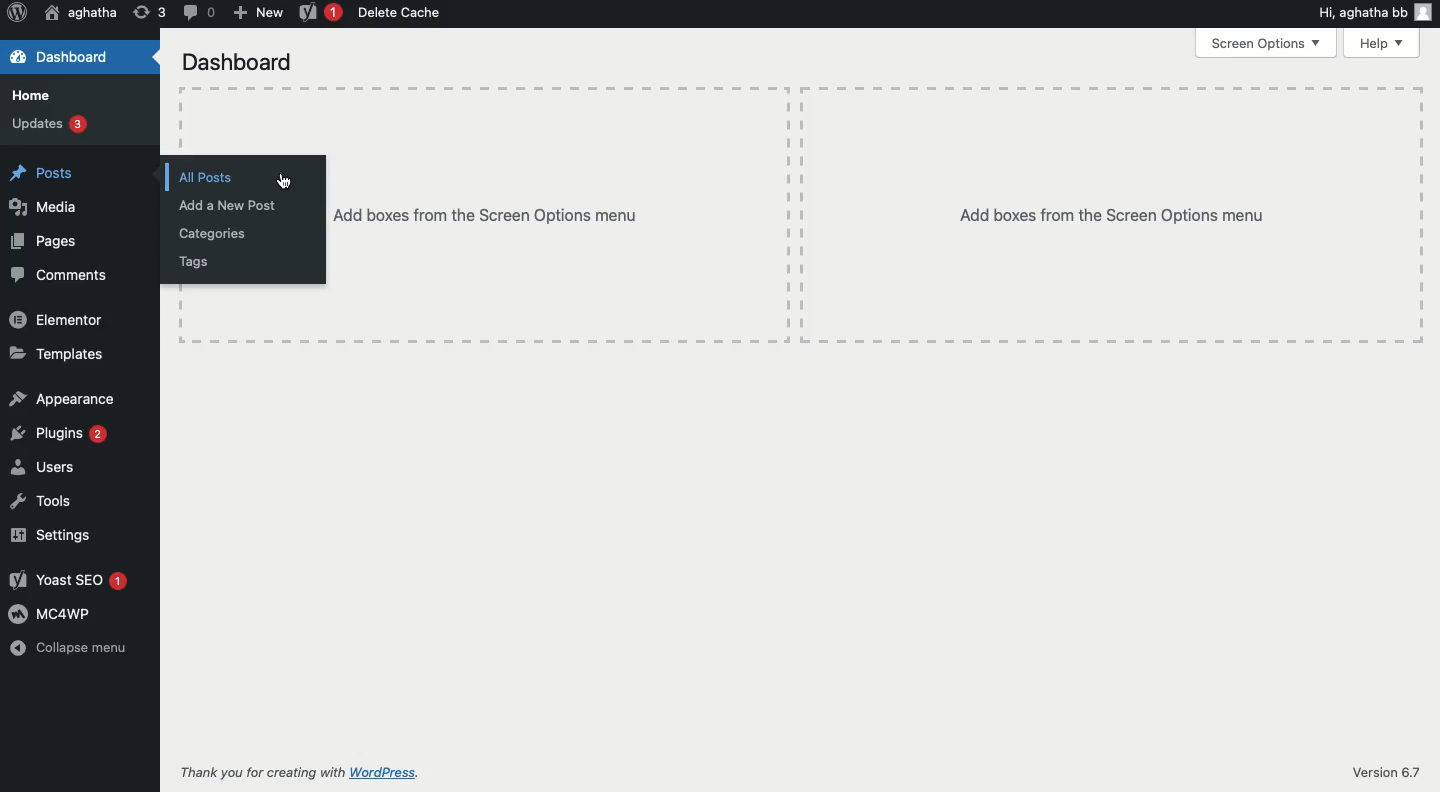 The image size is (1440, 792). Describe the element at coordinates (207, 233) in the screenshot. I see `Categories` at that location.